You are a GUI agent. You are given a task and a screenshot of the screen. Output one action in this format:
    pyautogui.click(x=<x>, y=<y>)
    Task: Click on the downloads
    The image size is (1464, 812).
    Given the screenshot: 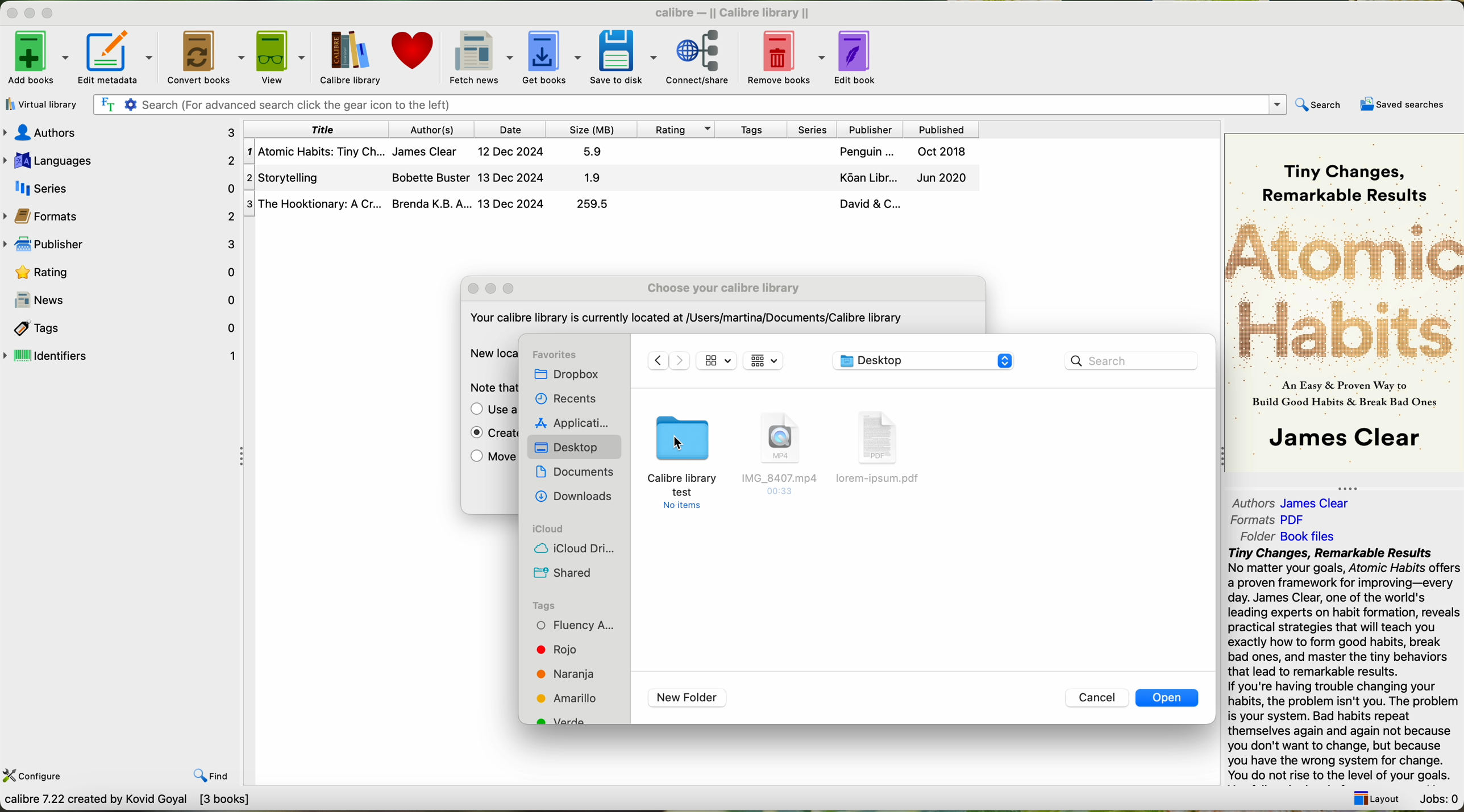 What is the action you would take?
    pyautogui.click(x=576, y=497)
    